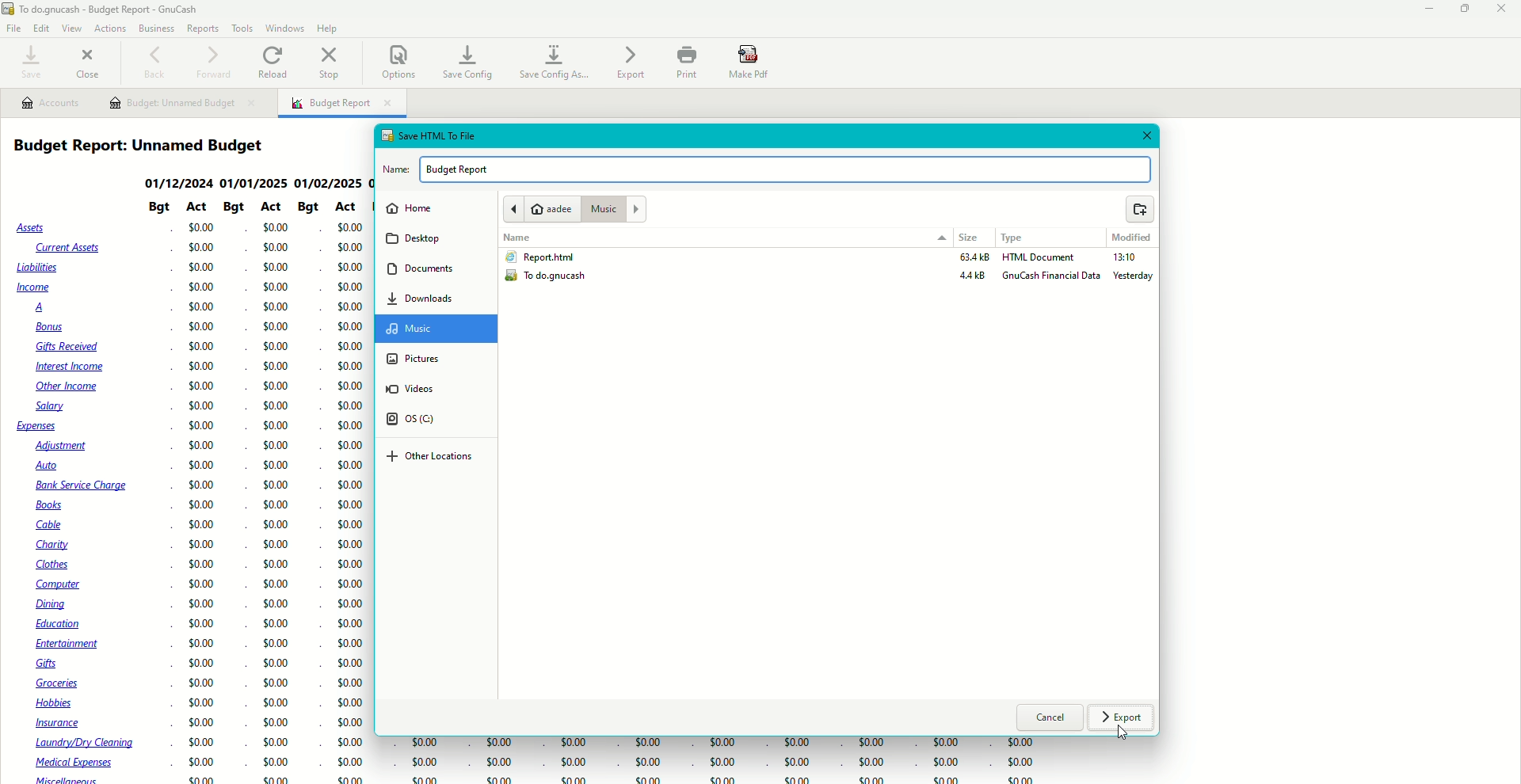 The image size is (1521, 784). What do you see at coordinates (156, 27) in the screenshot?
I see `Business` at bounding box center [156, 27].